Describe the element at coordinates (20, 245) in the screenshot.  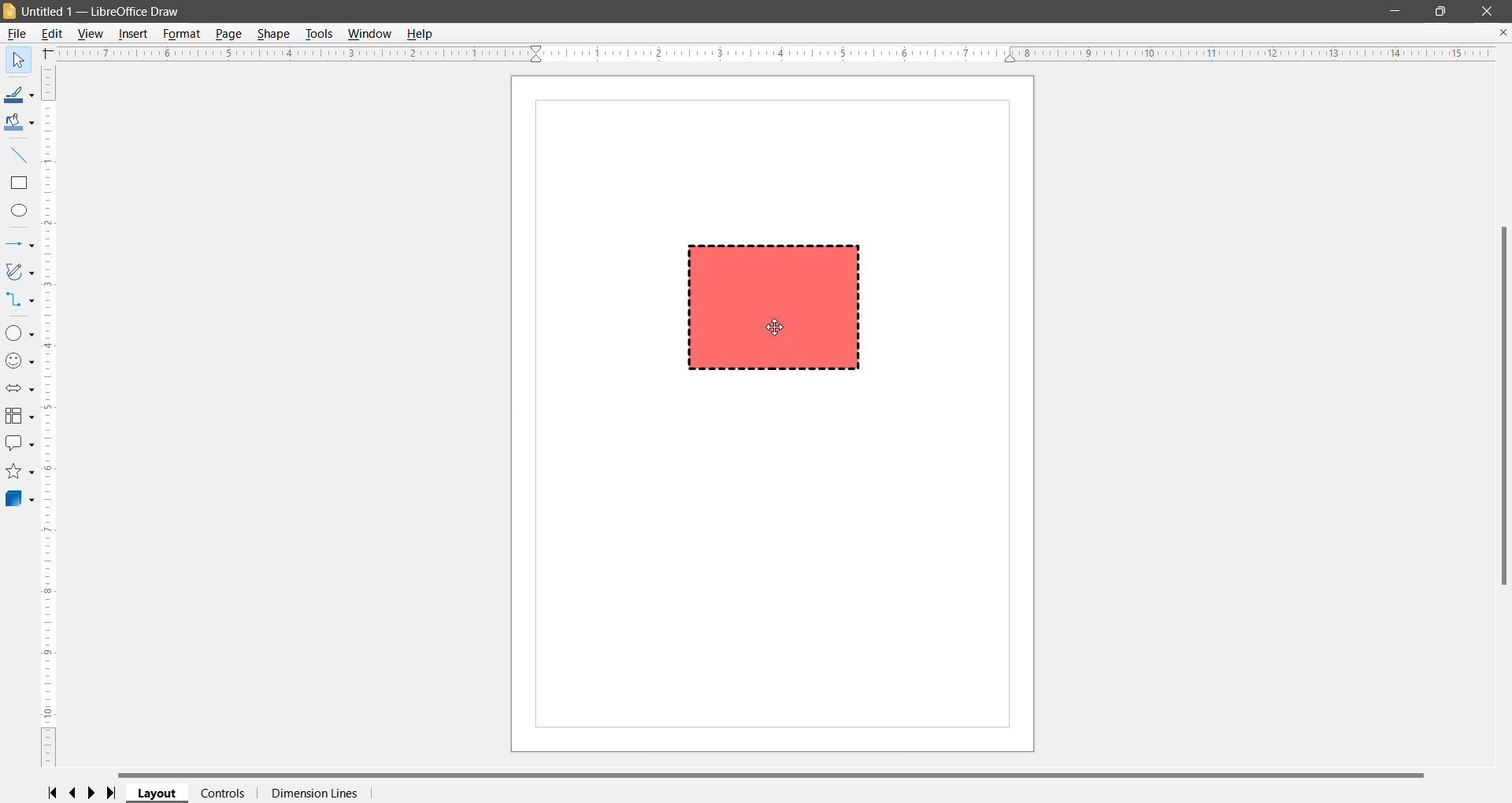
I see `Lines and Arrows` at that location.